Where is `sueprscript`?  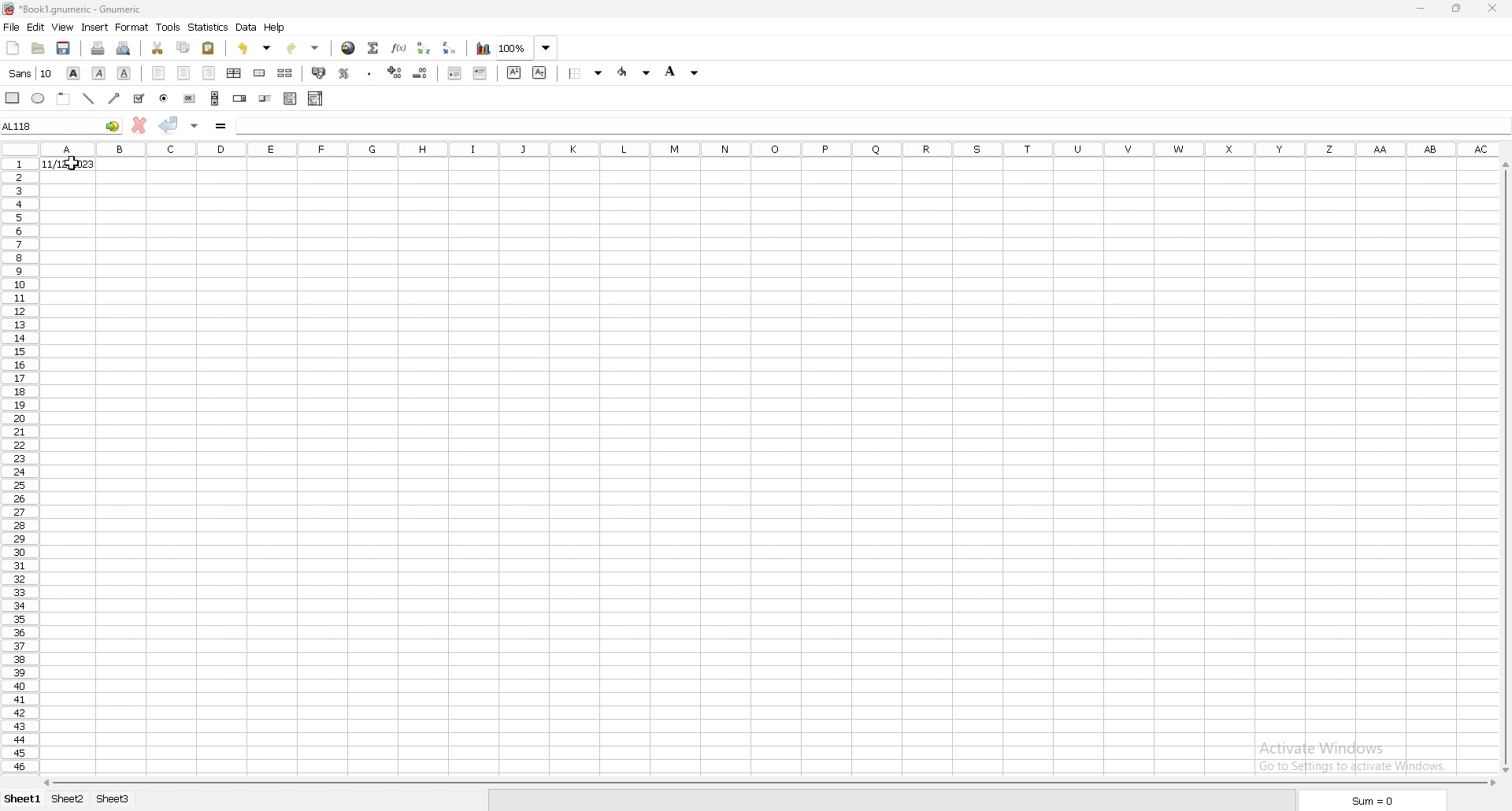
sueprscript is located at coordinates (514, 72).